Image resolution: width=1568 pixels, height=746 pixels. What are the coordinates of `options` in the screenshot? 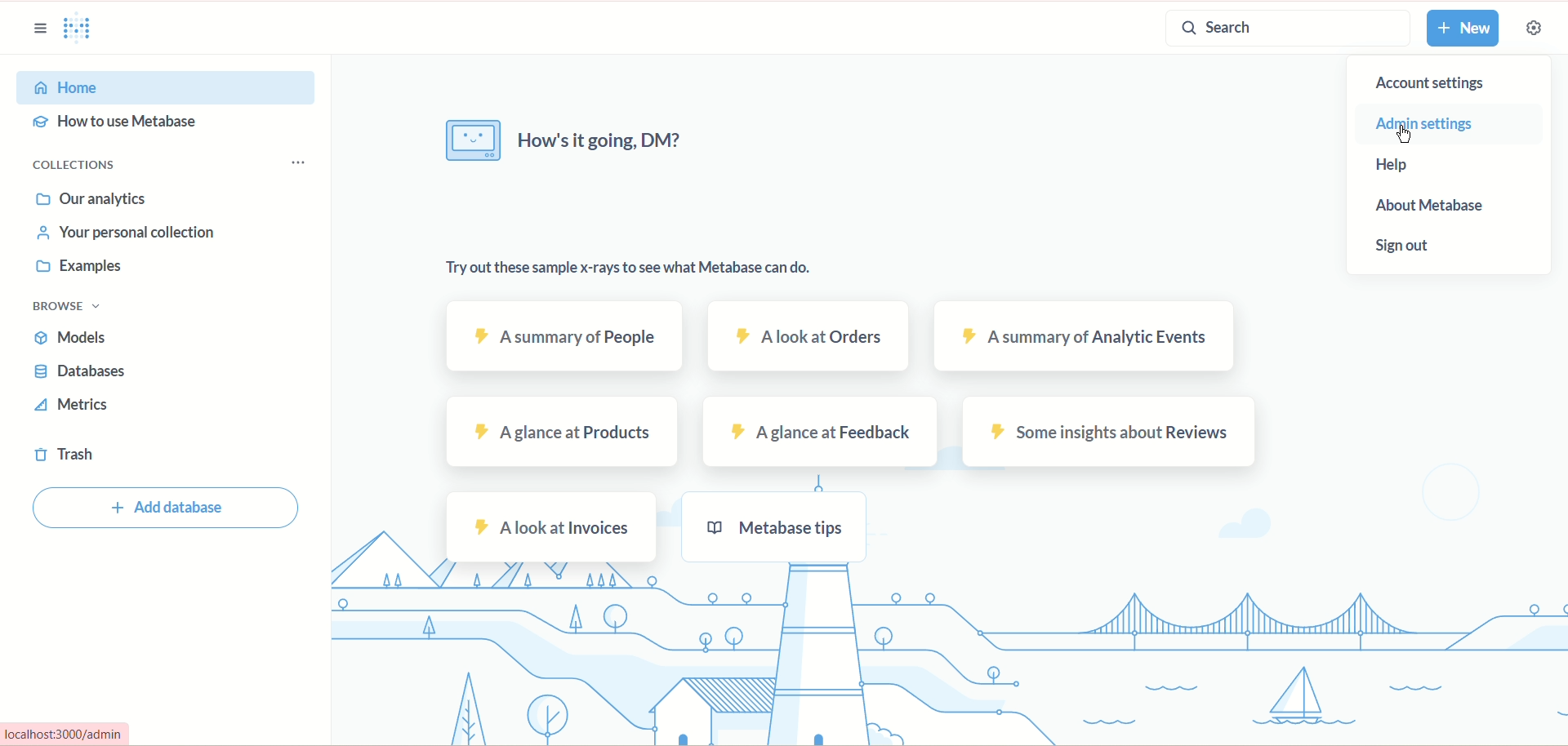 It's located at (296, 166).